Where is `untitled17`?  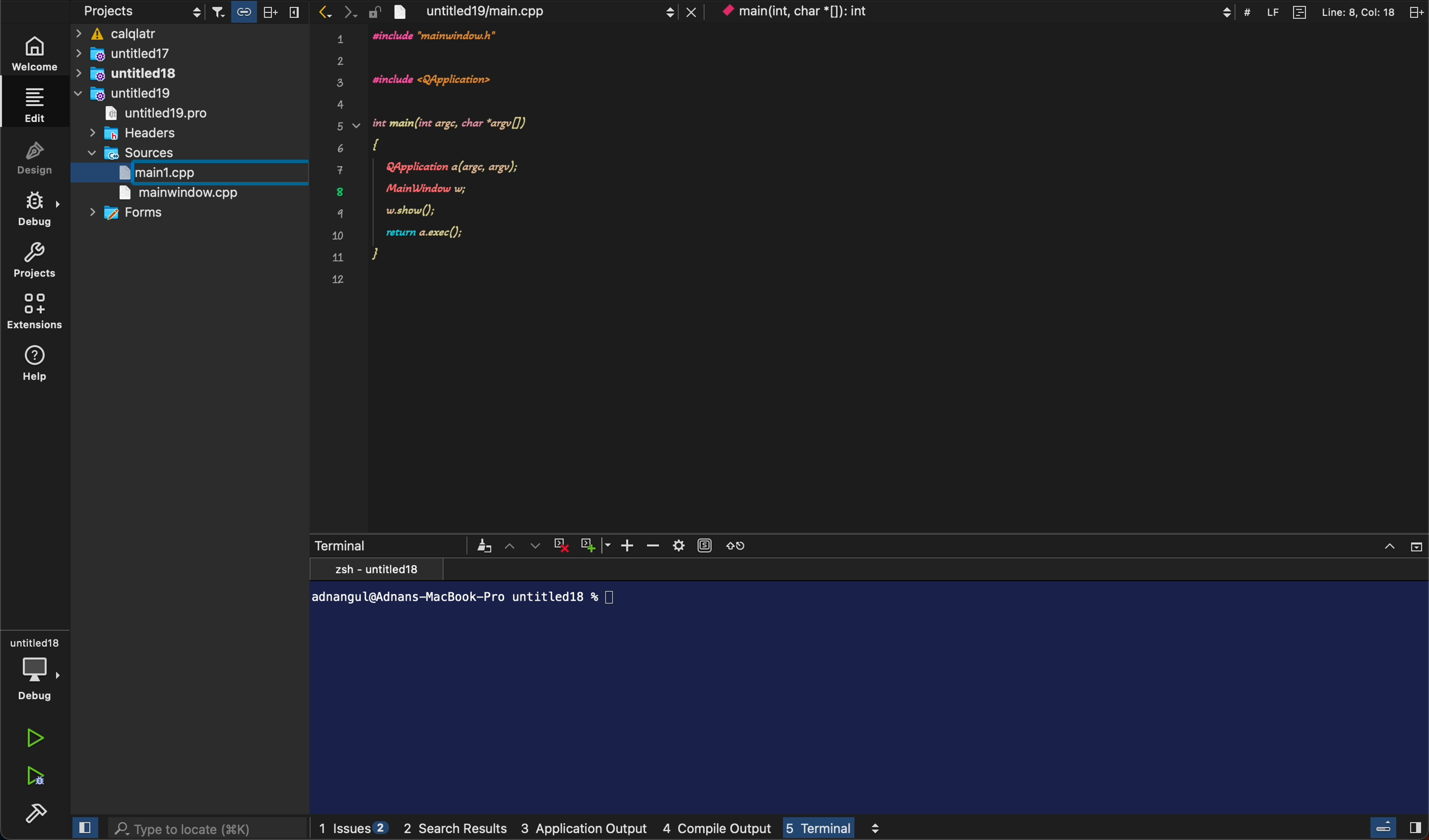 untitled17 is located at coordinates (152, 53).